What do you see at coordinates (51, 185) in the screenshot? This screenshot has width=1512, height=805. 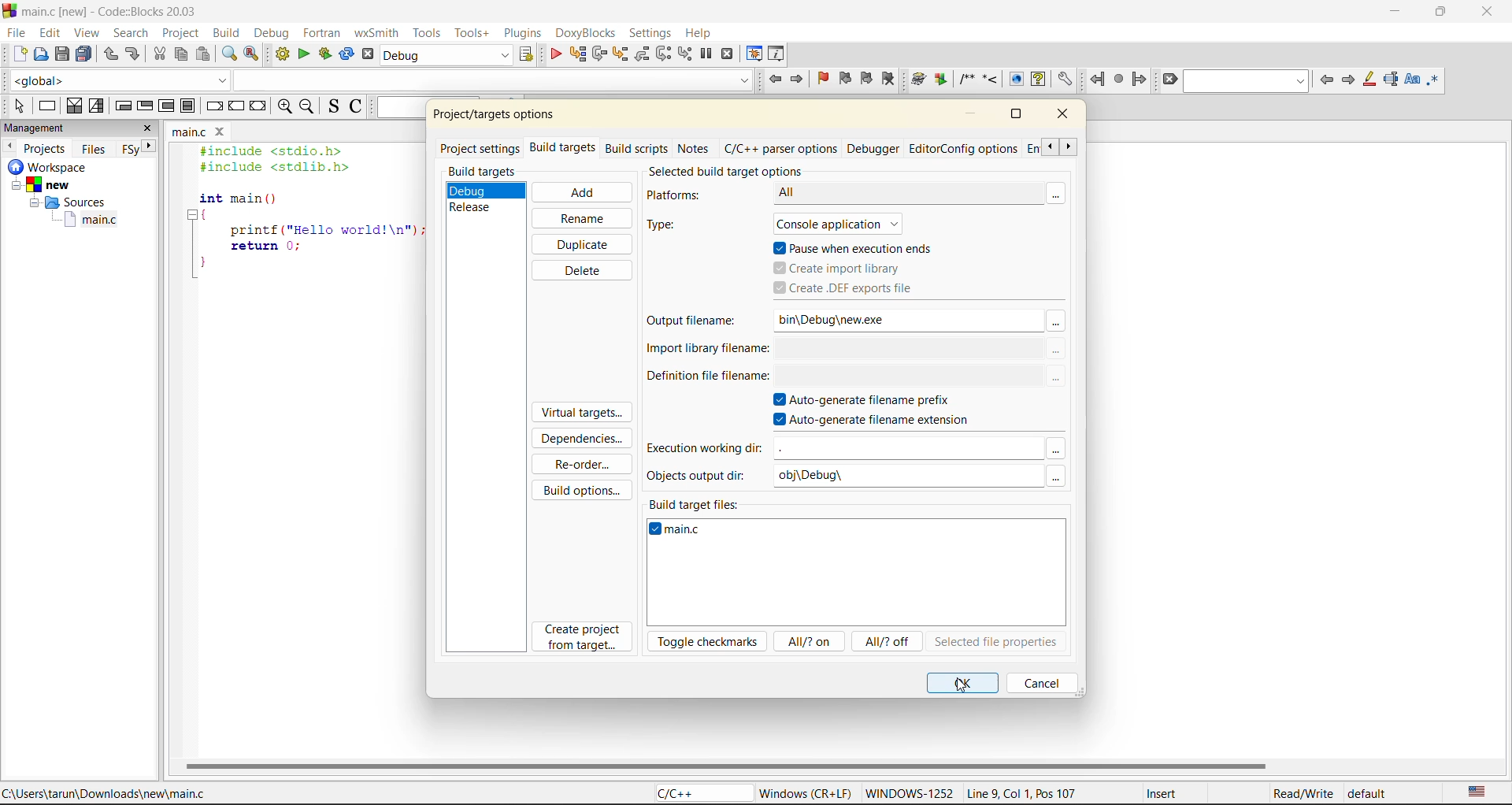 I see `New` at bounding box center [51, 185].